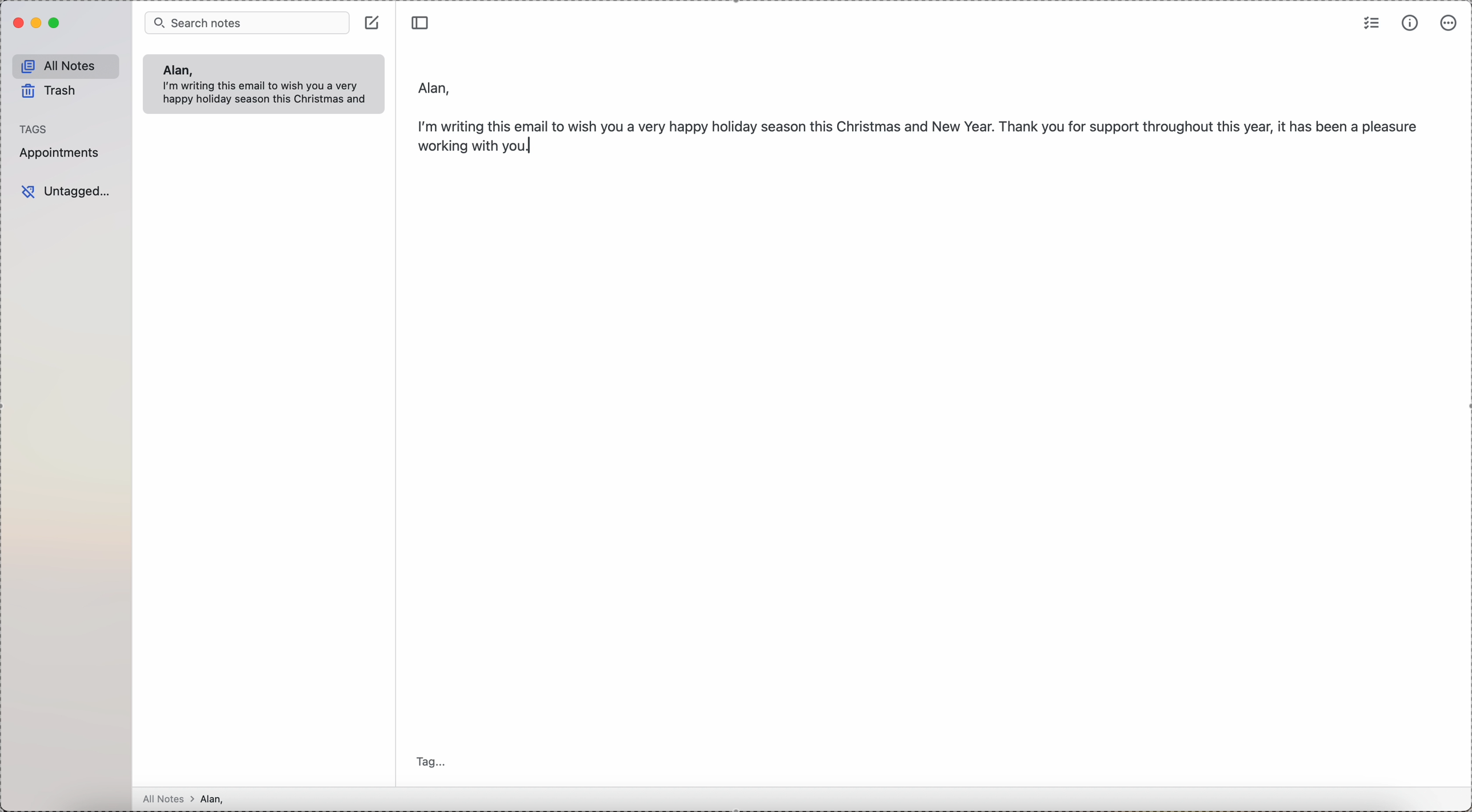  Describe the element at coordinates (1410, 23) in the screenshot. I see `metrics` at that location.